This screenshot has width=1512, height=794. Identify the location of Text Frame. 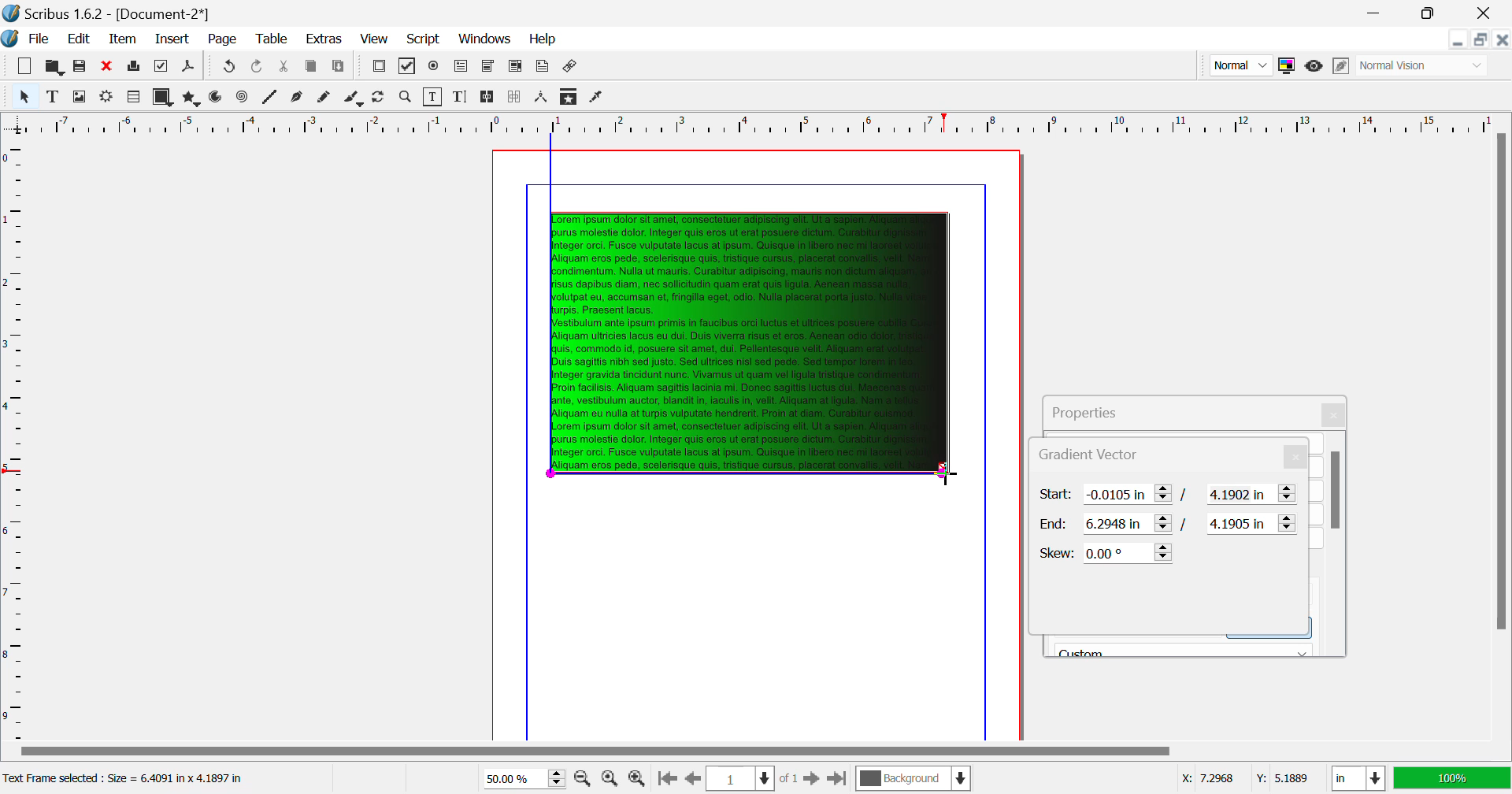
(53, 96).